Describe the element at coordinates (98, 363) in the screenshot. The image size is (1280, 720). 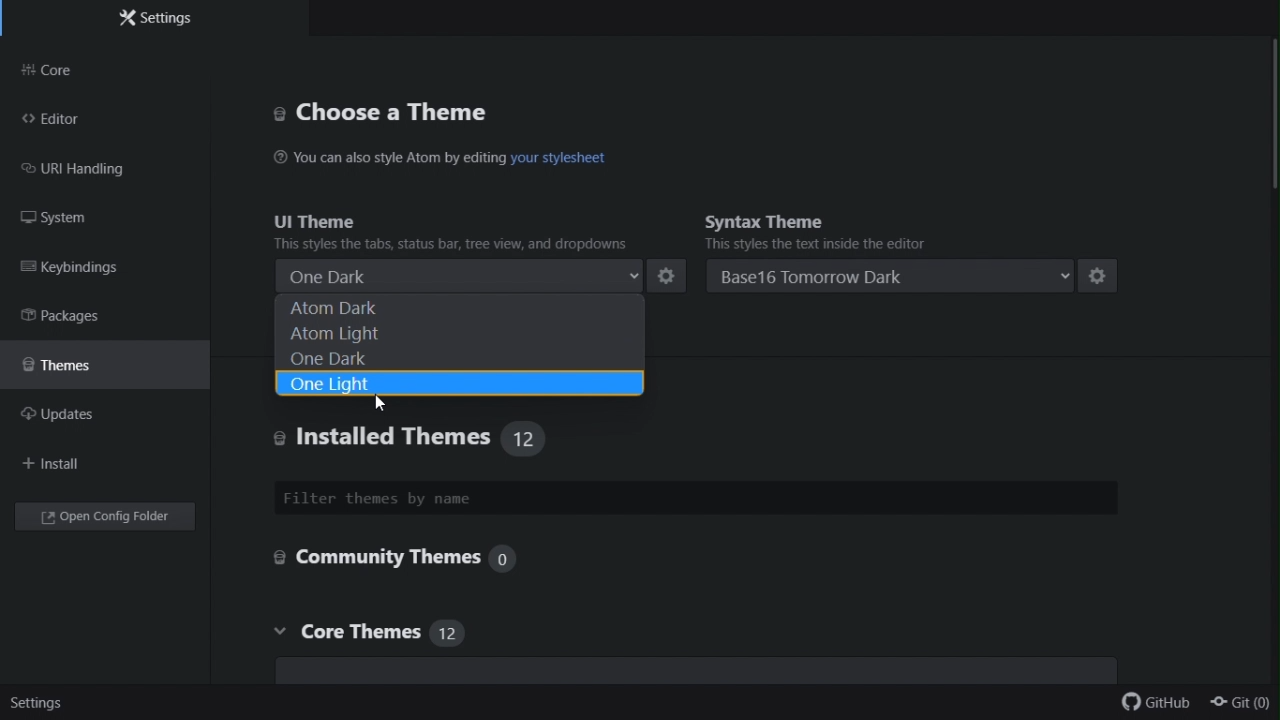
I see `themes` at that location.